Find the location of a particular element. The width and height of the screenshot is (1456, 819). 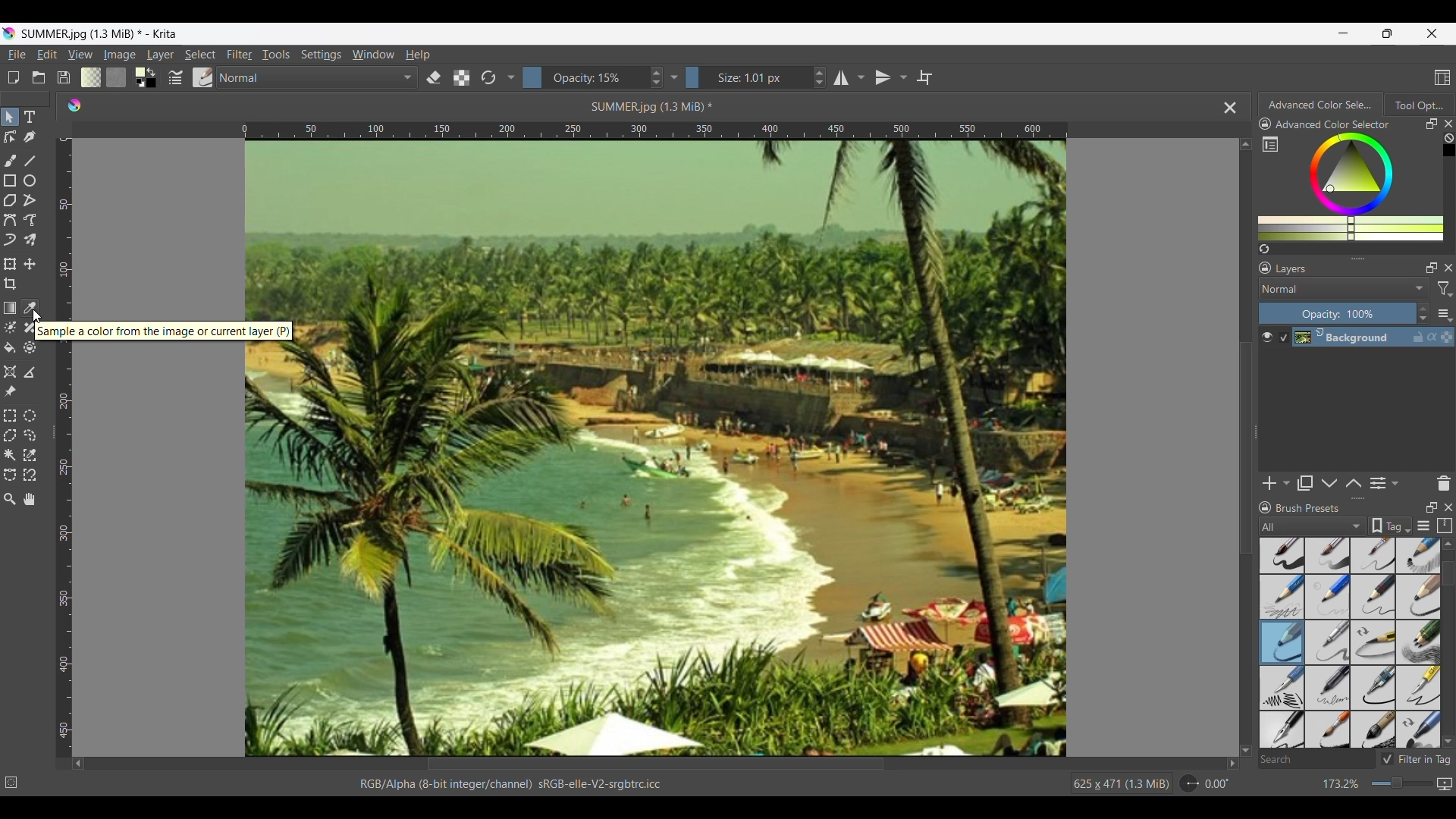

No selection is located at coordinates (11, 783).